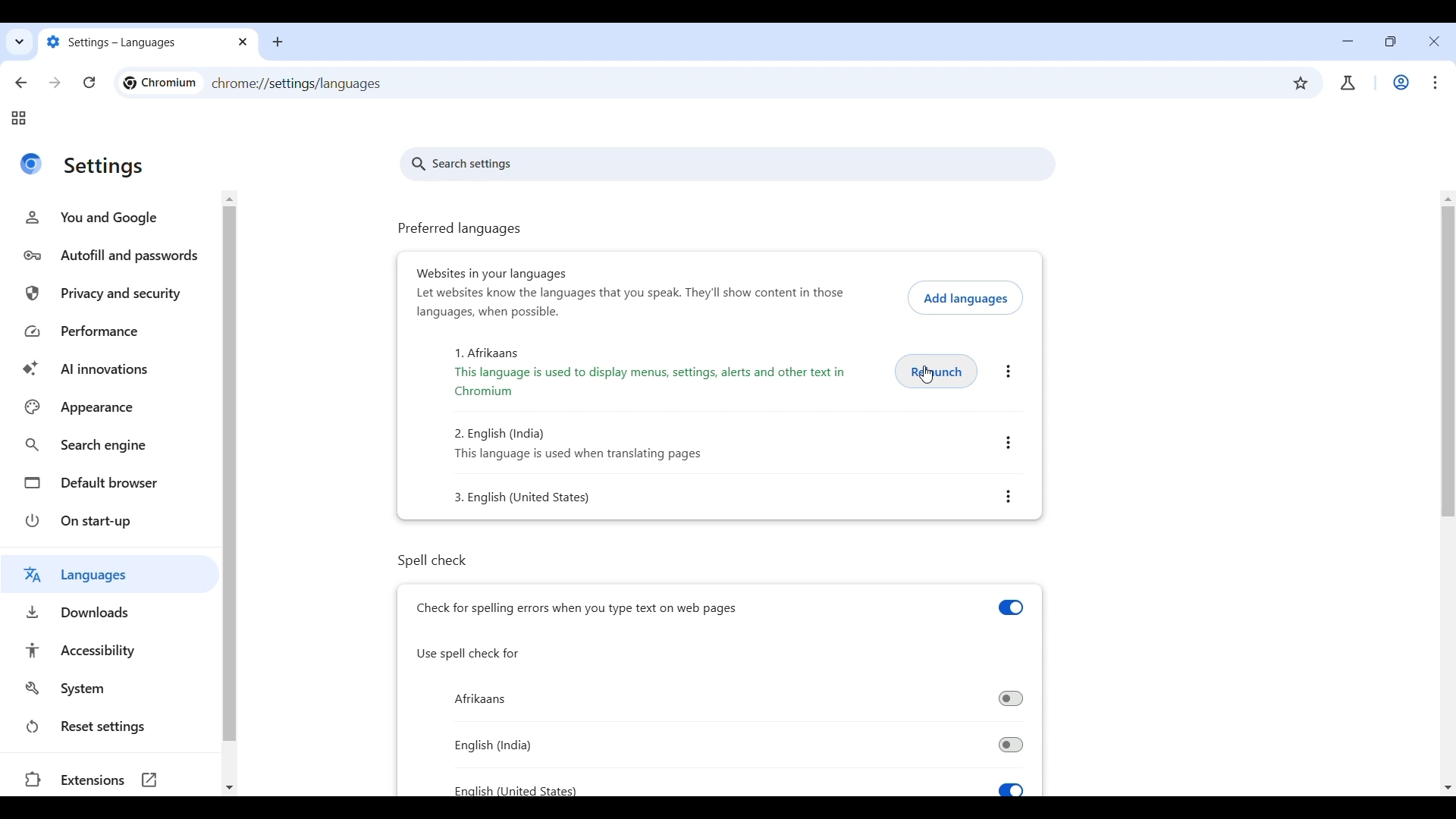 This screenshot has height=819, width=1456. I want to click on more options, so click(1009, 496).